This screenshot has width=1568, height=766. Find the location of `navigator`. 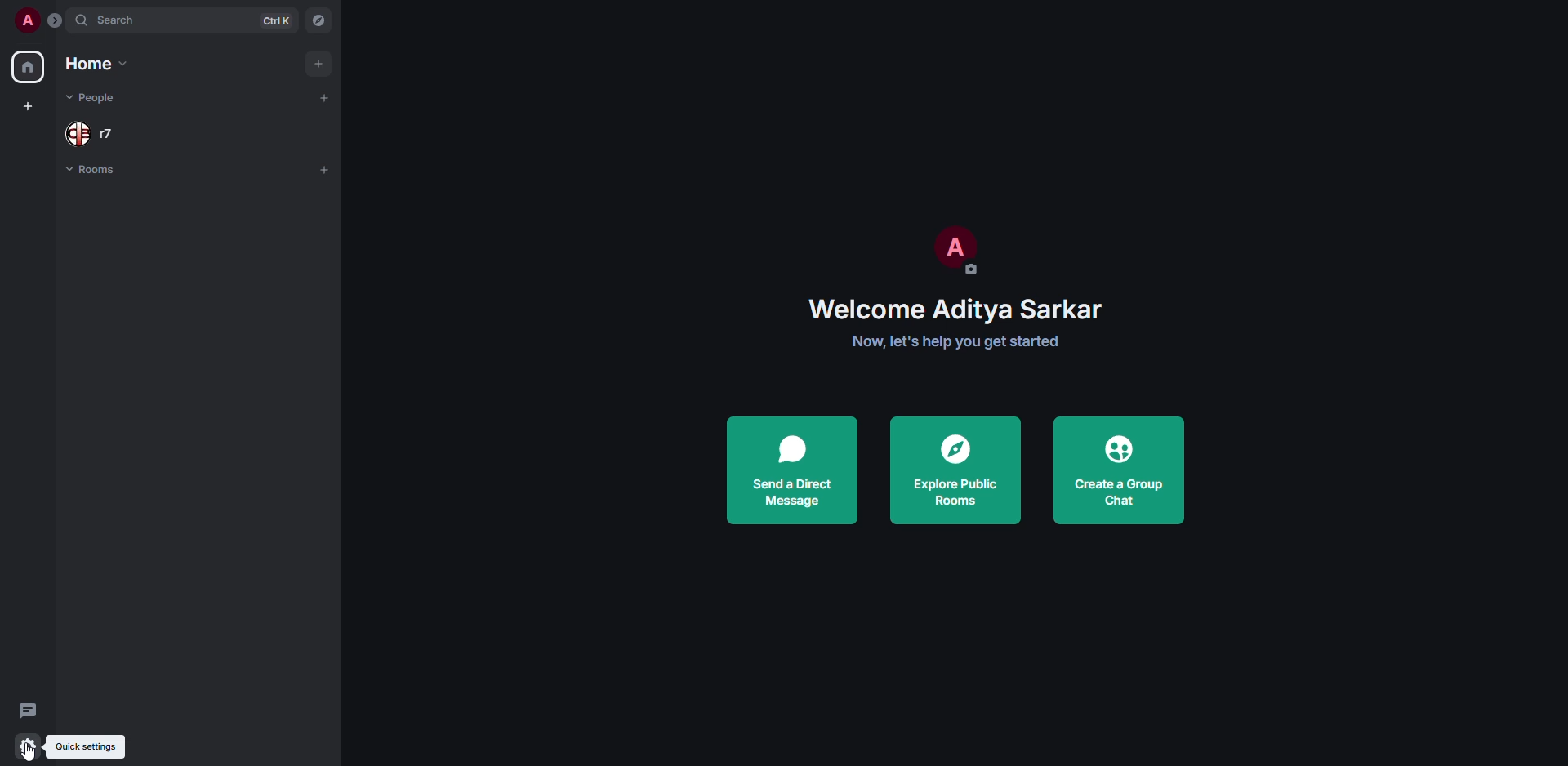

navigator is located at coordinates (321, 20).